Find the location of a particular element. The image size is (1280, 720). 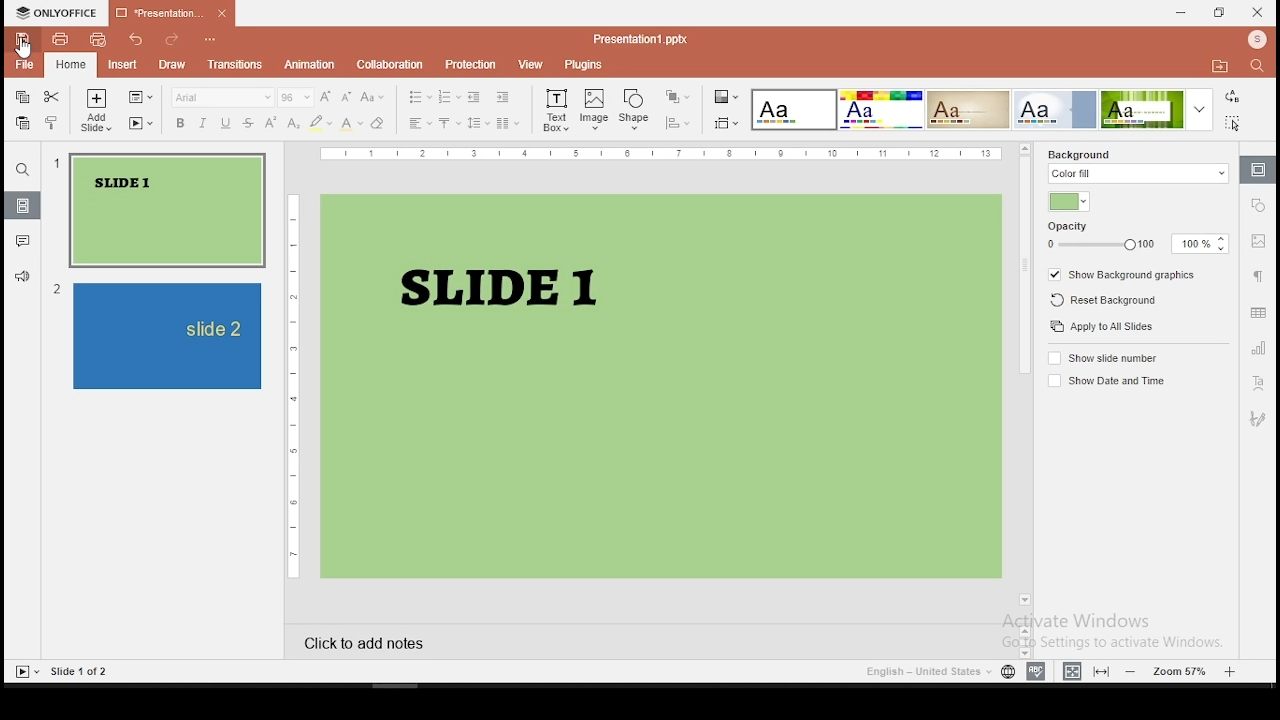

opacity slider is located at coordinates (1099, 245).